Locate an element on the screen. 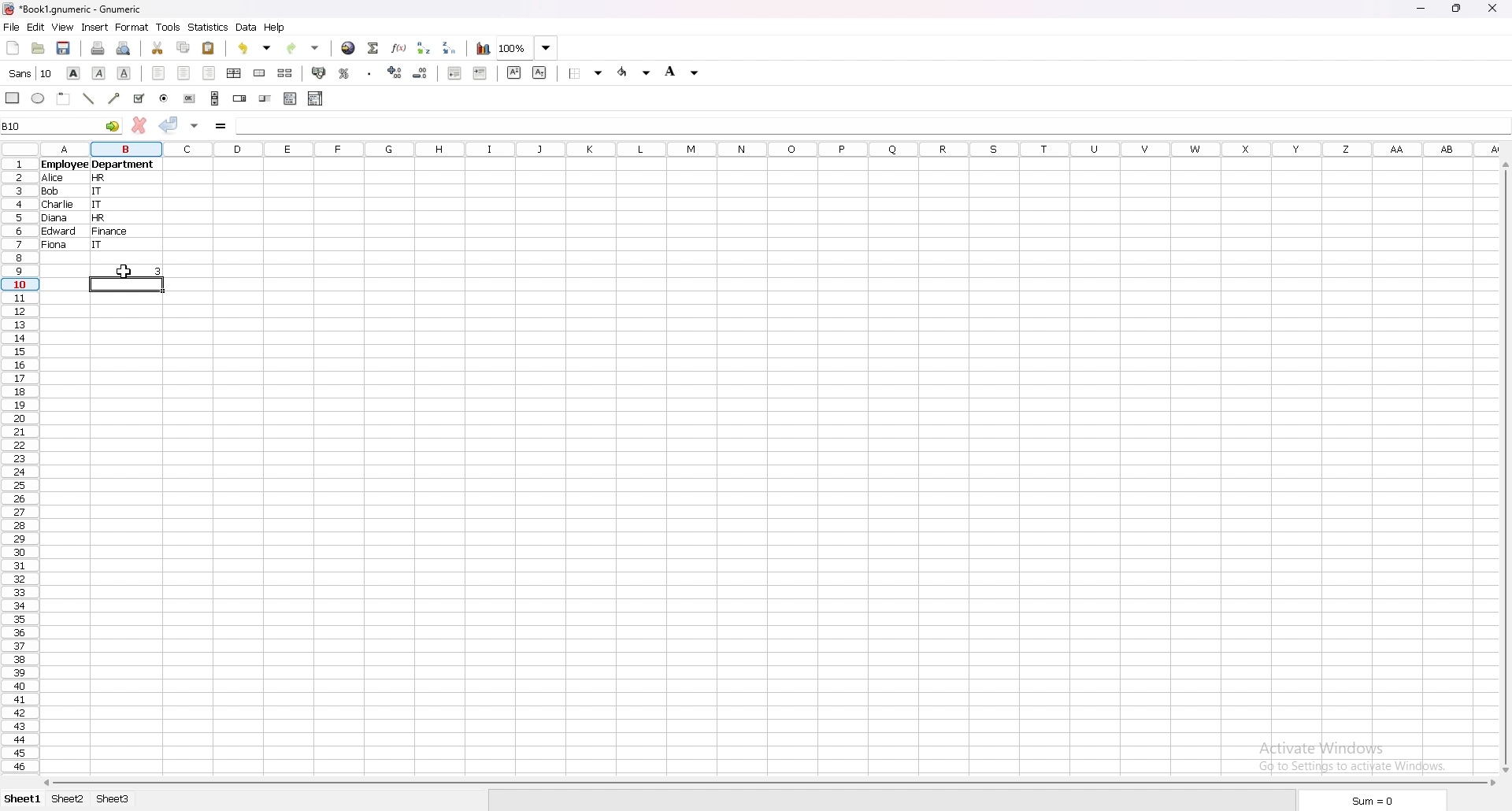  decrease decimals is located at coordinates (421, 73).